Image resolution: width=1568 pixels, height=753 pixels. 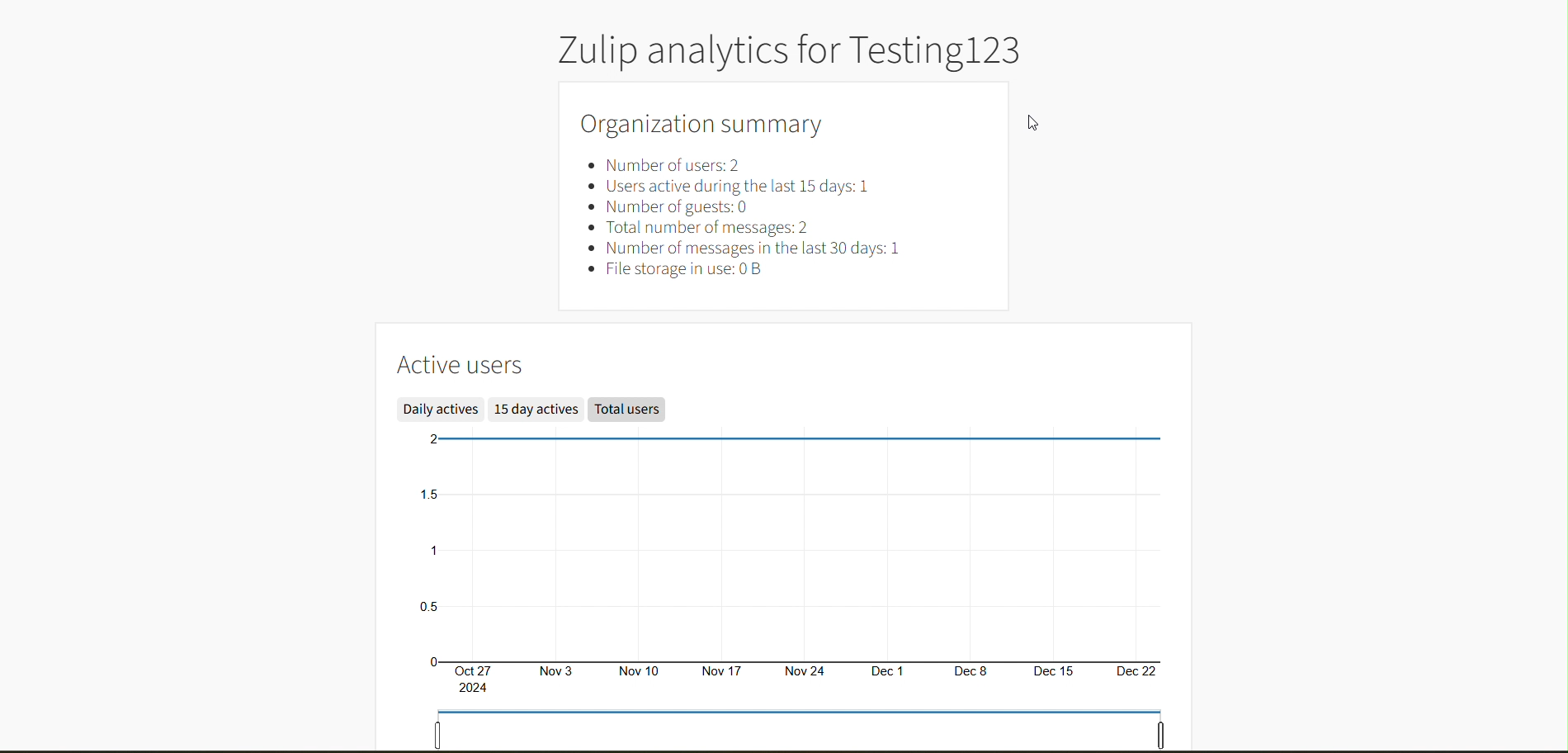 I want to click on cursor, so click(x=1036, y=122).